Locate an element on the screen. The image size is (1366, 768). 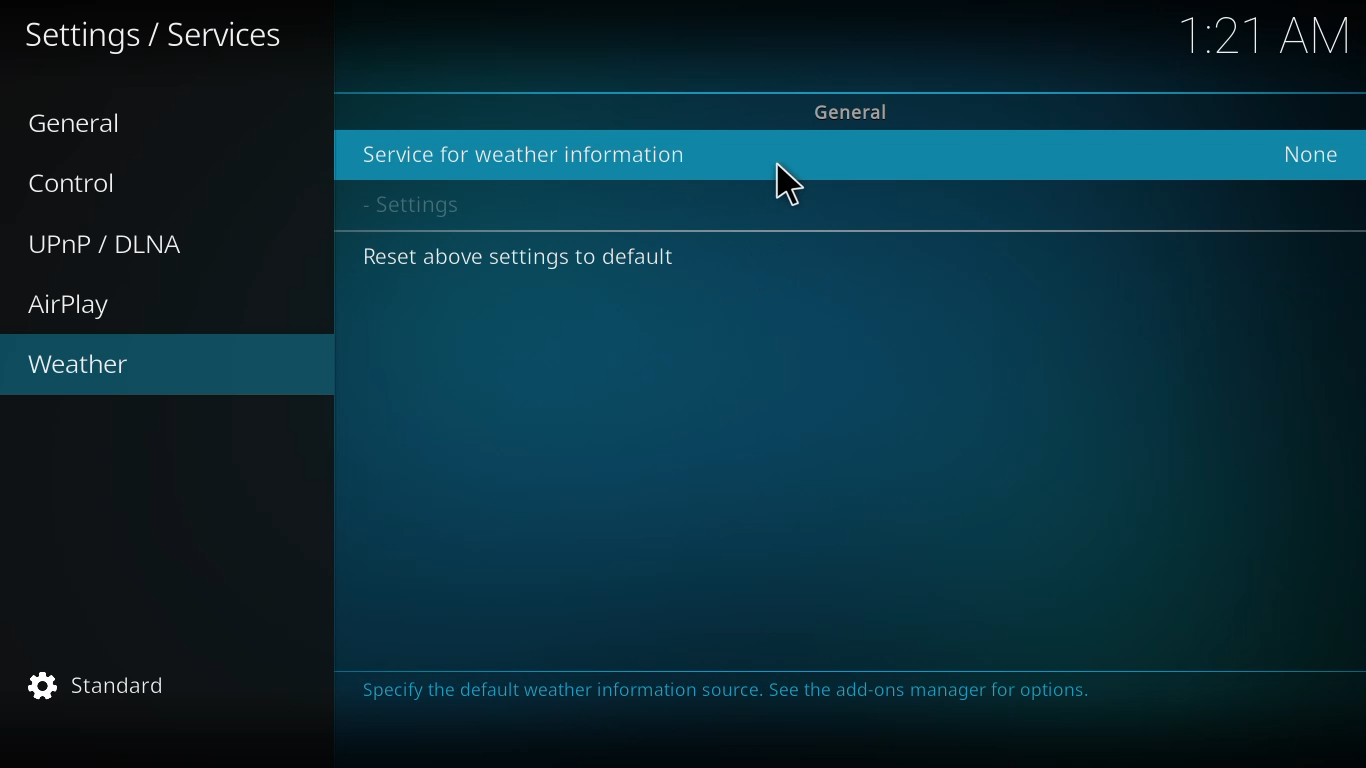
control is located at coordinates (83, 182).